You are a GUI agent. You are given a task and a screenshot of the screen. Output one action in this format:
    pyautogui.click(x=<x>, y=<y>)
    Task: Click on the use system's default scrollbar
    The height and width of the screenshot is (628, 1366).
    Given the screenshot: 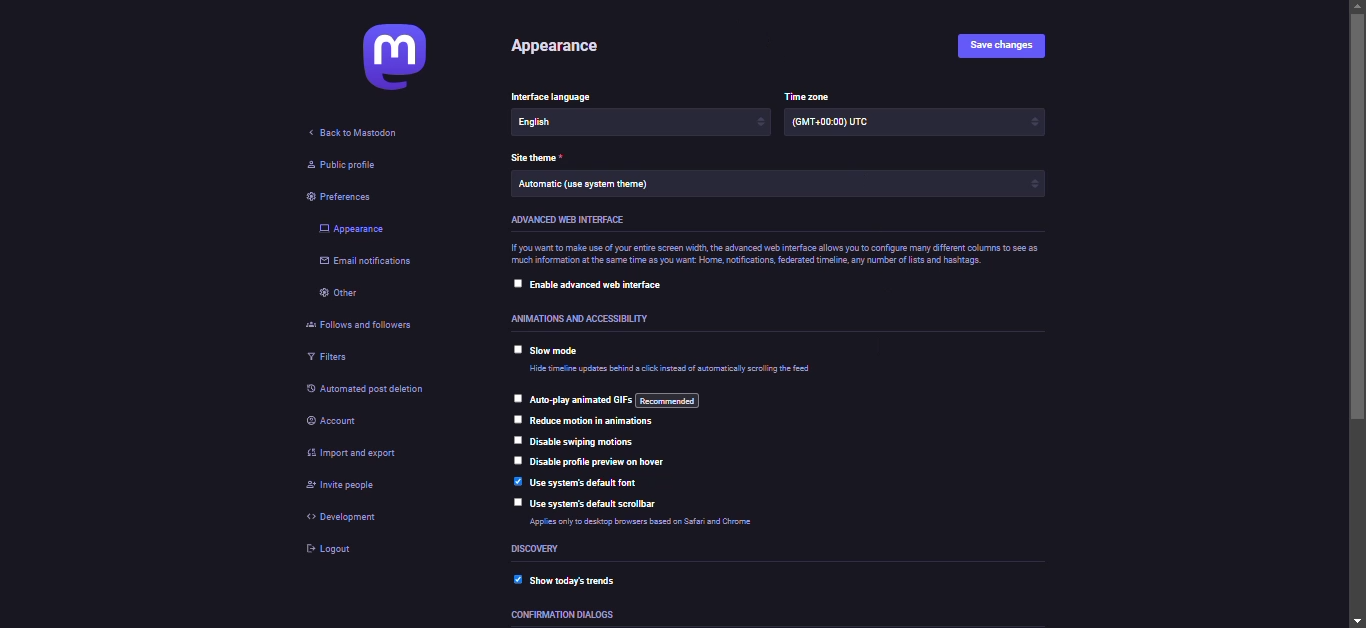 What is the action you would take?
    pyautogui.click(x=606, y=502)
    